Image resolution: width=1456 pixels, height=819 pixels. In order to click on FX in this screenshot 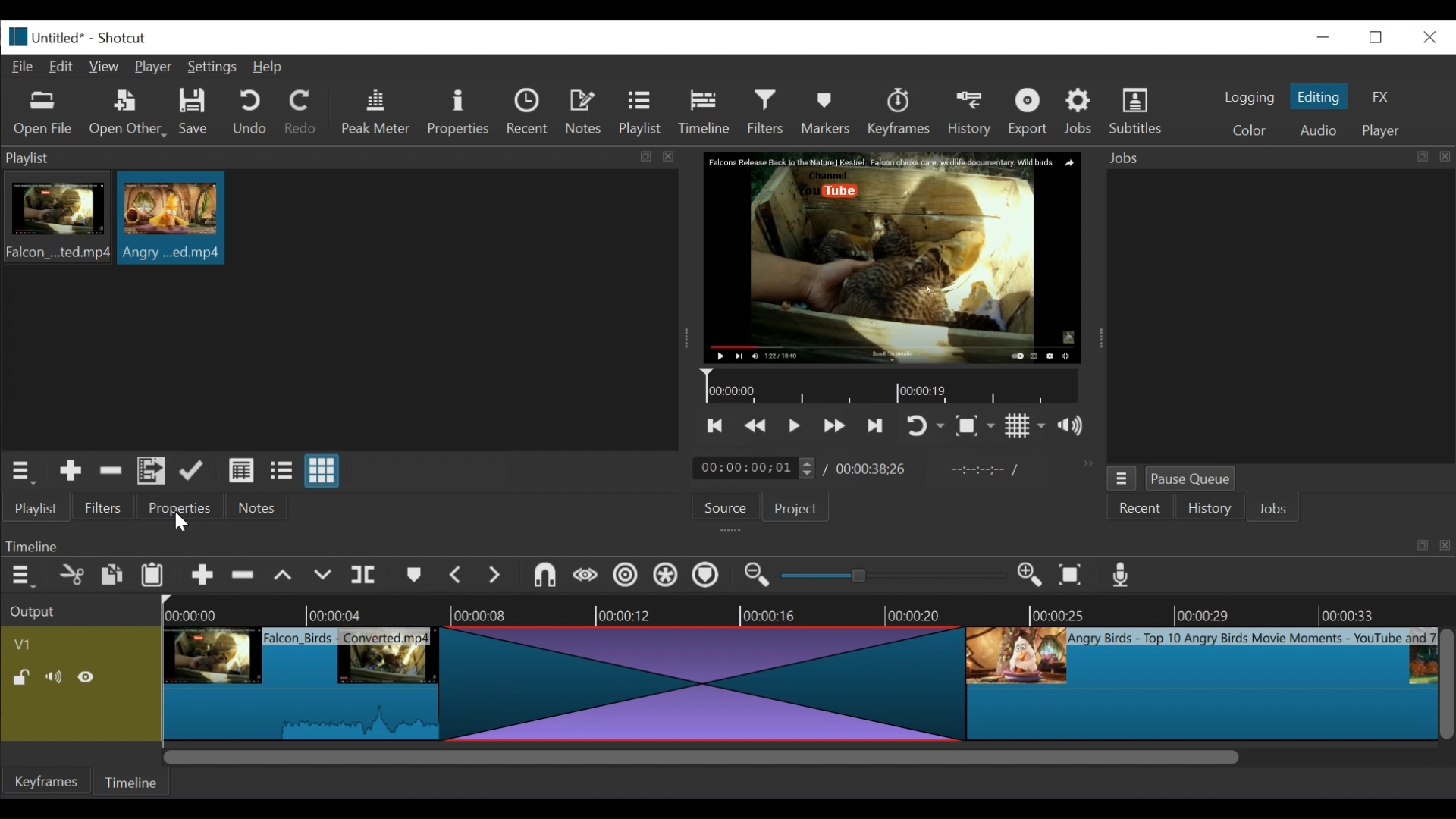, I will do `click(1381, 97)`.